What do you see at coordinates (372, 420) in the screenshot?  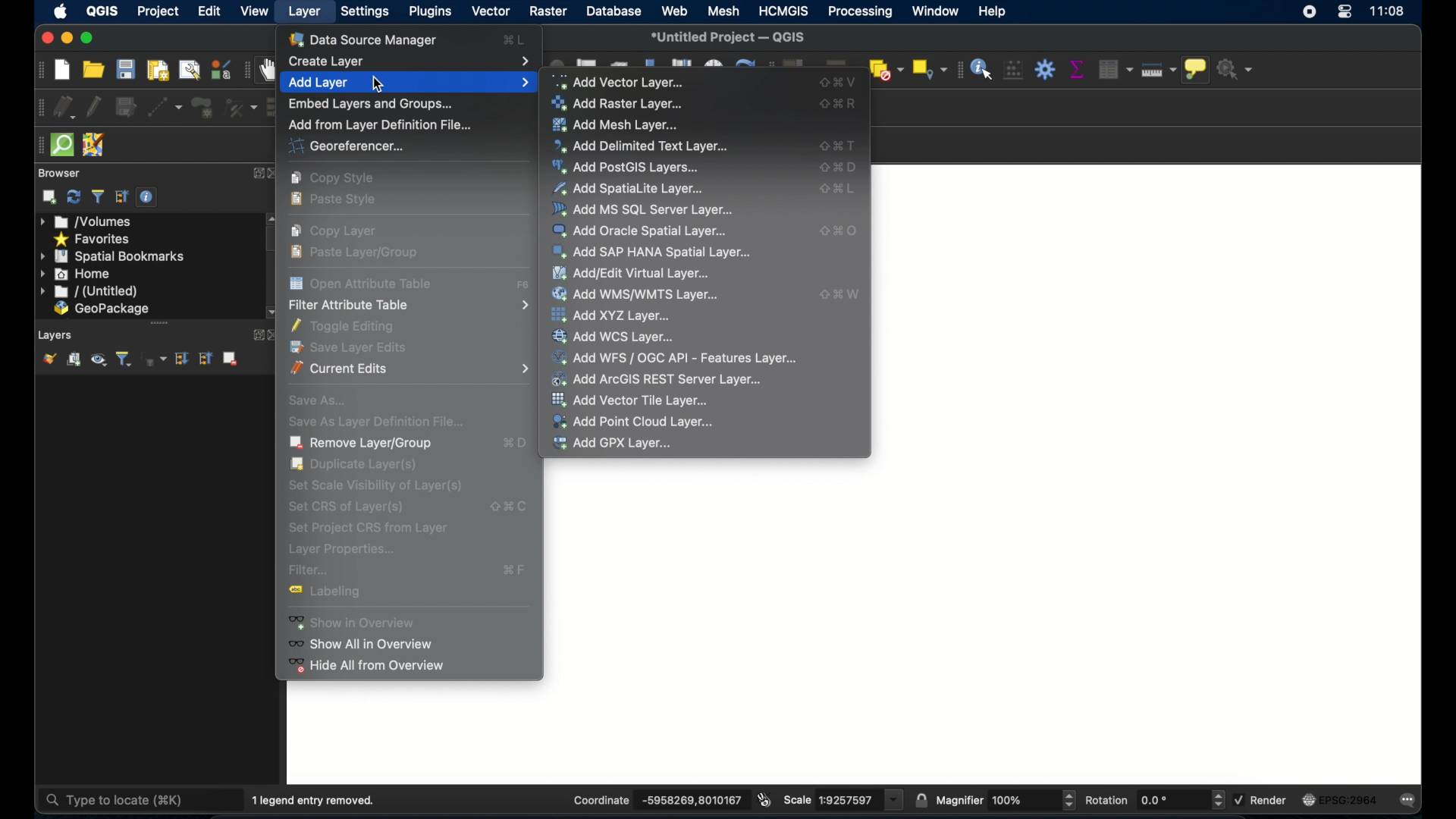 I see `save as layer definition` at bounding box center [372, 420].